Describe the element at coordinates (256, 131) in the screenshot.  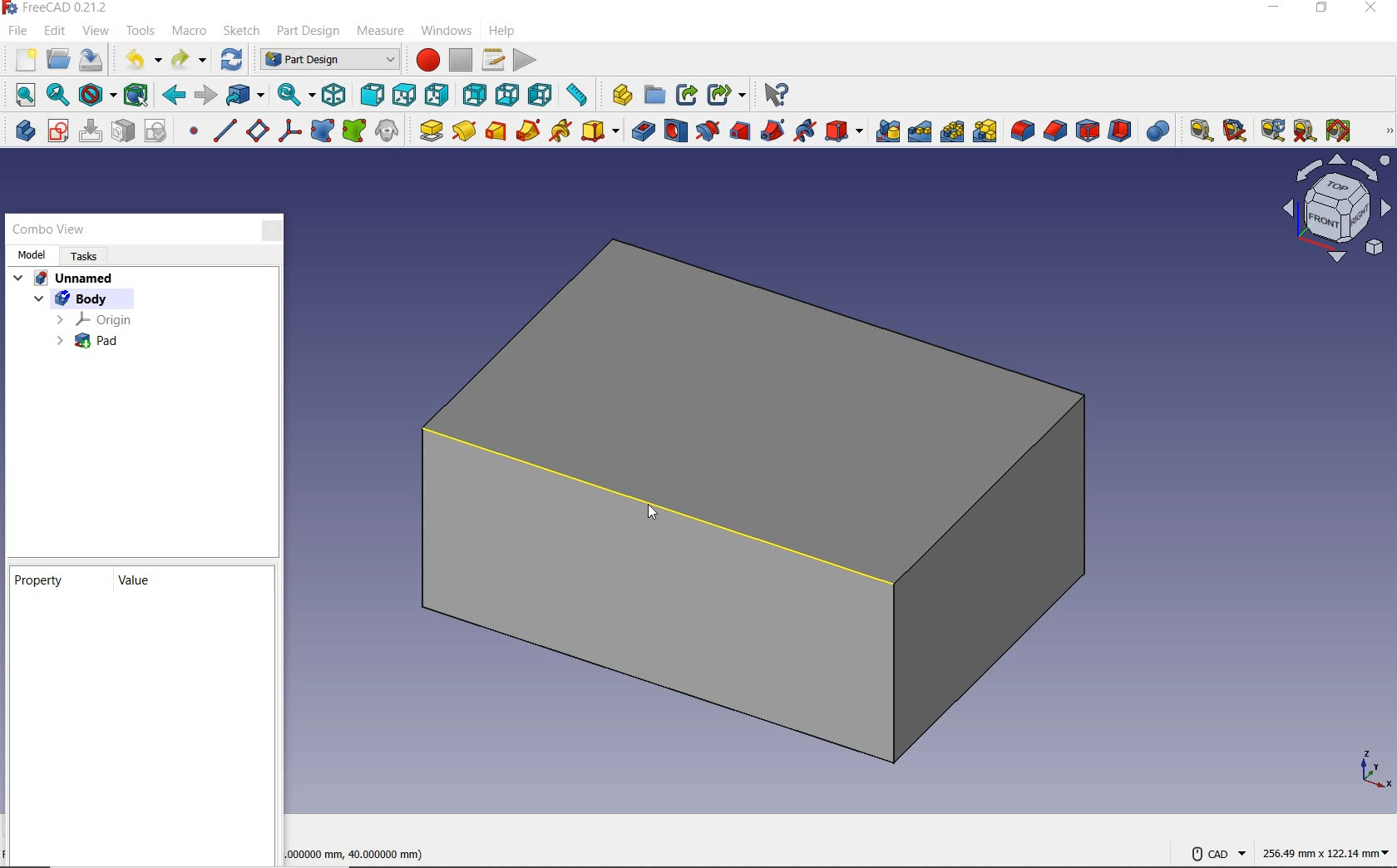
I see `create a datum plane` at that location.